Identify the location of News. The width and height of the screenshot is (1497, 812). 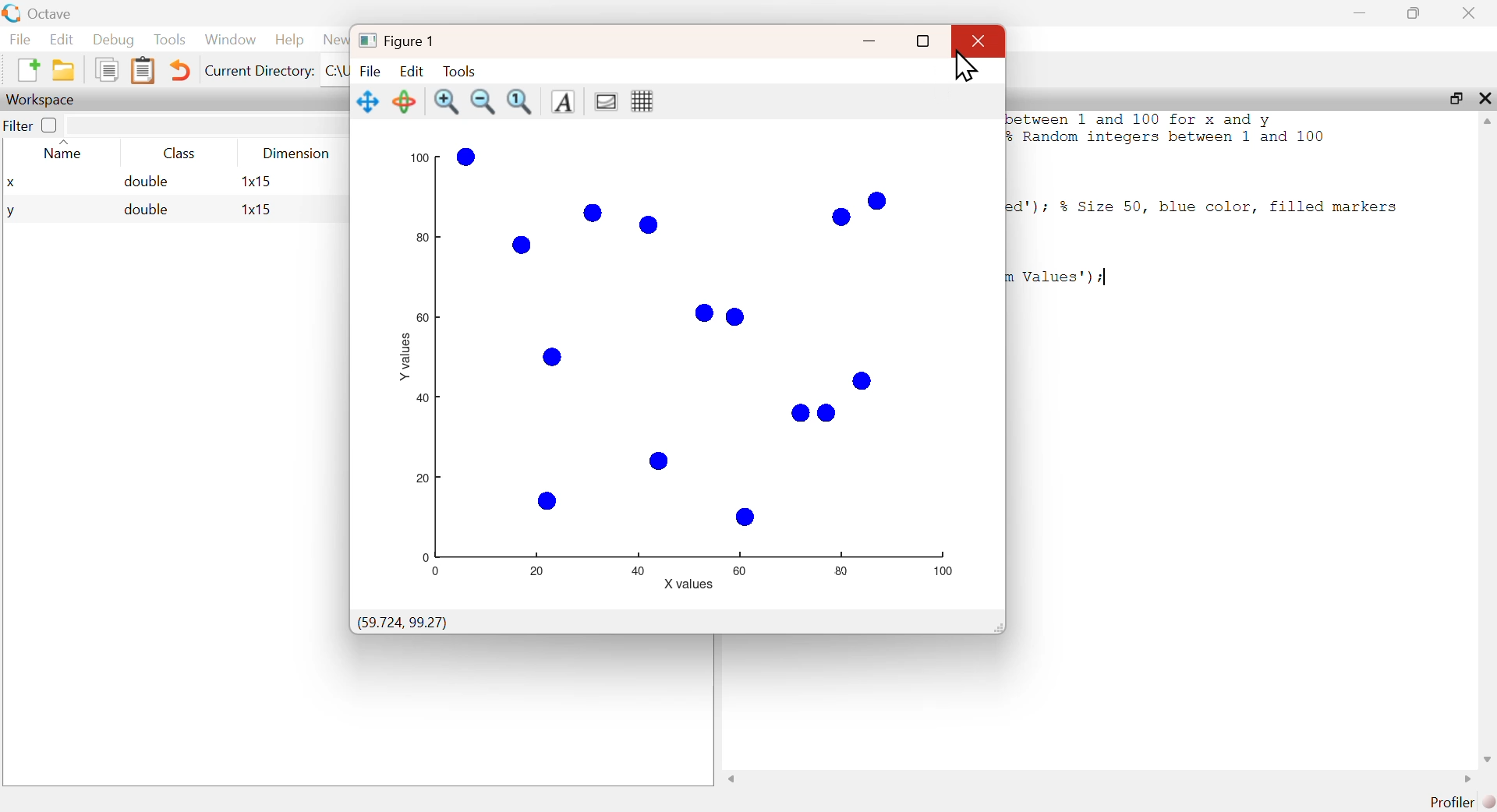
(335, 40).